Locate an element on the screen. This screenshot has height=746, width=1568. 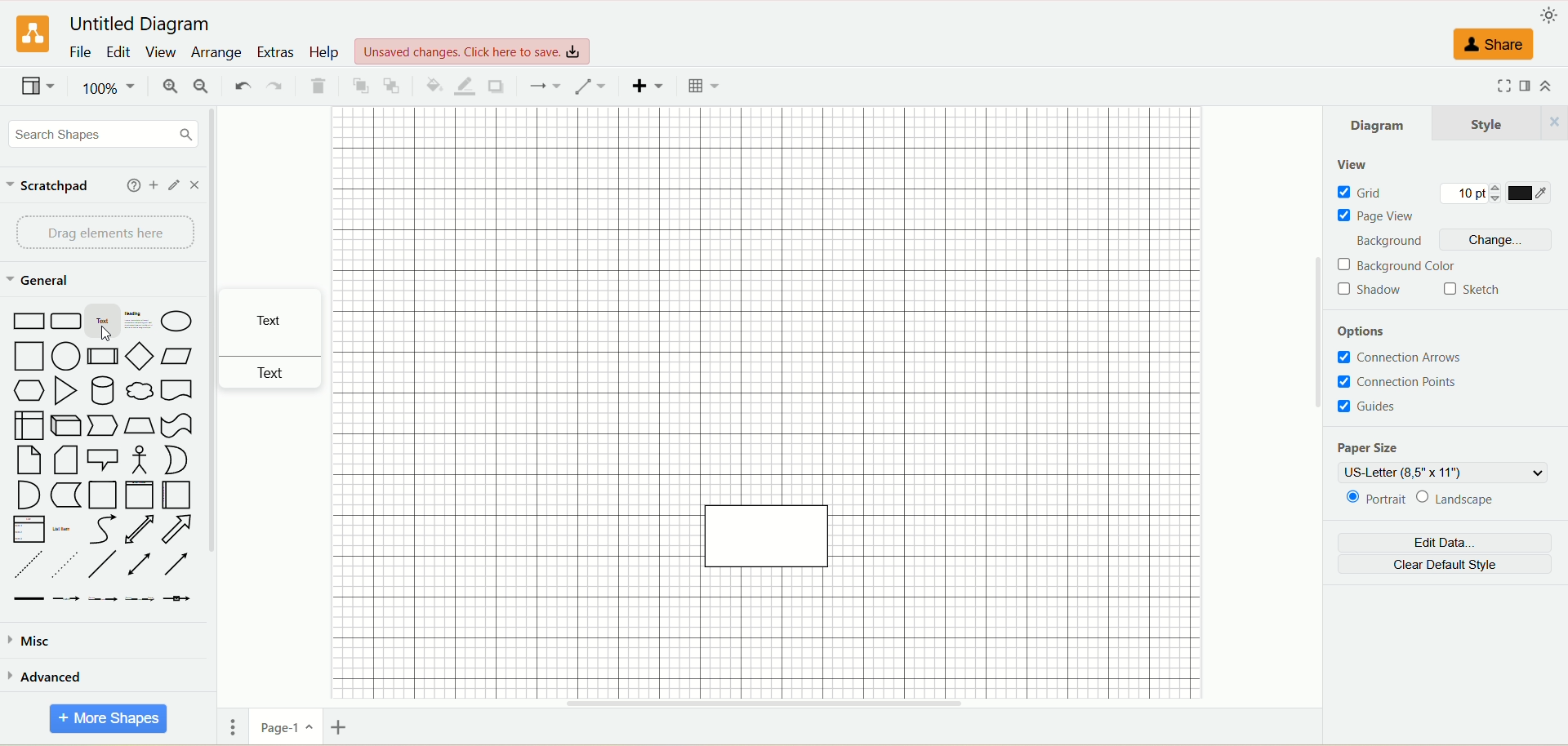
connector 3 is located at coordinates (103, 598).